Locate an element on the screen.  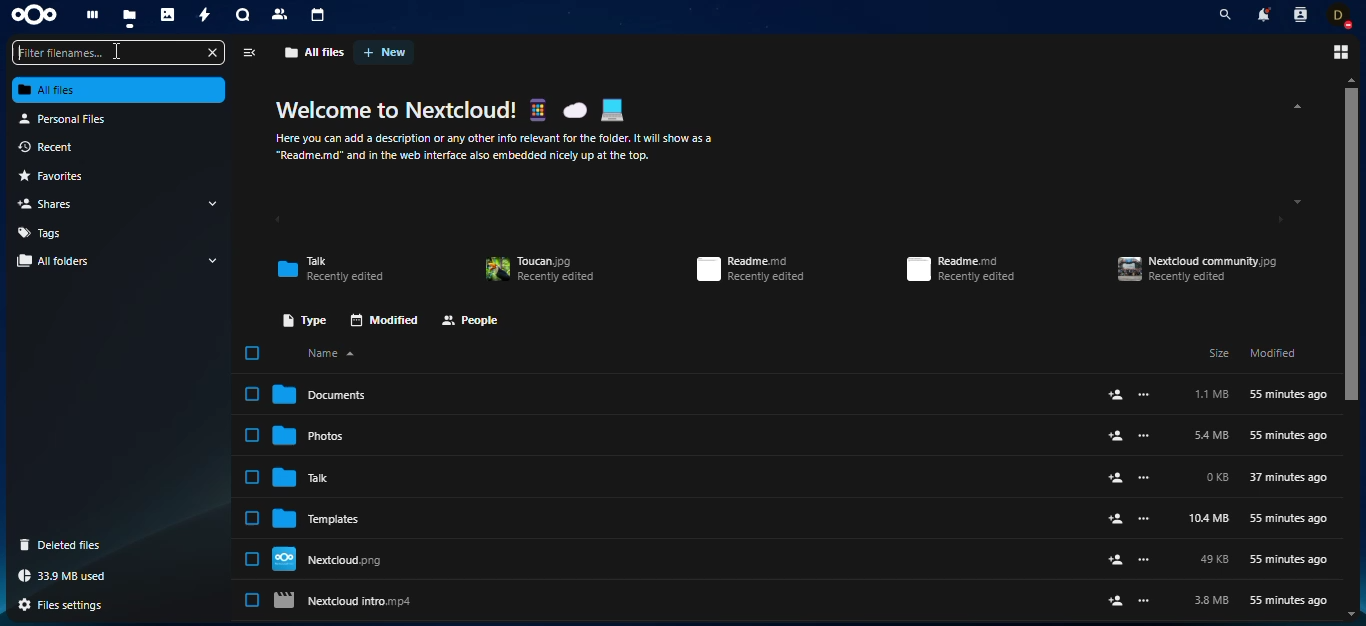
personal files is located at coordinates (69, 118).